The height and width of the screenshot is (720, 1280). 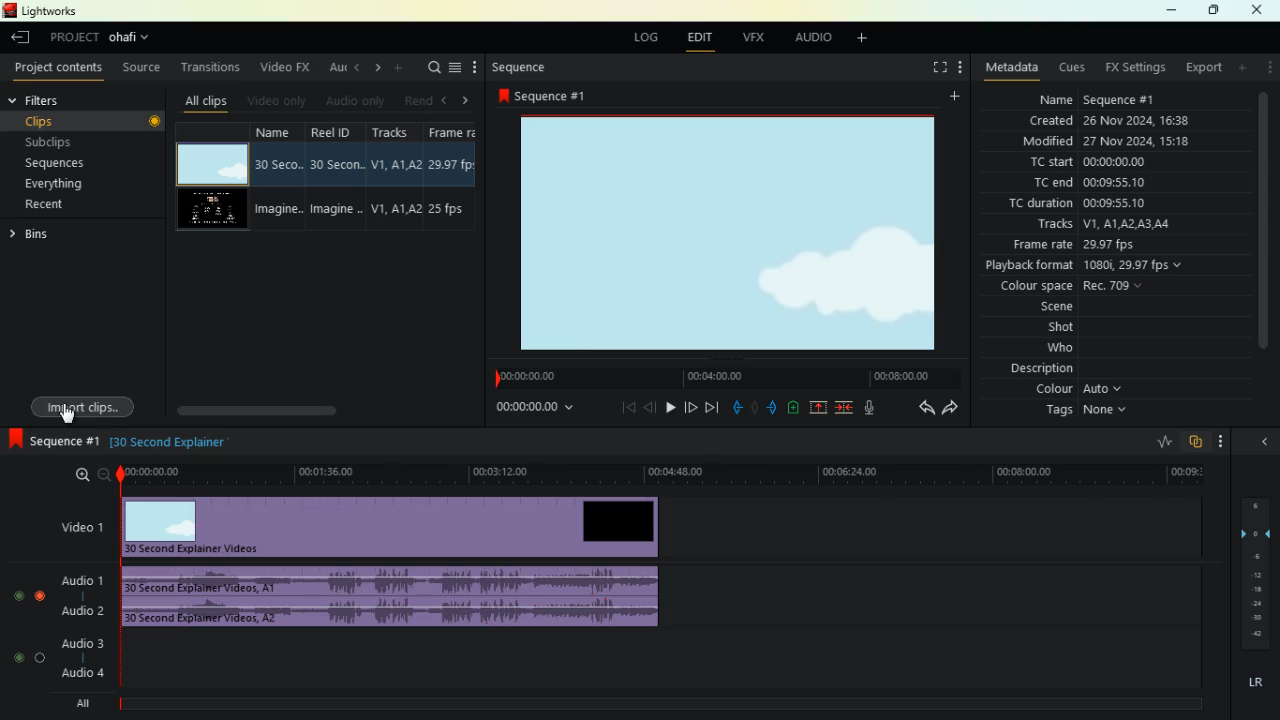 I want to click on name, so click(x=1092, y=99).